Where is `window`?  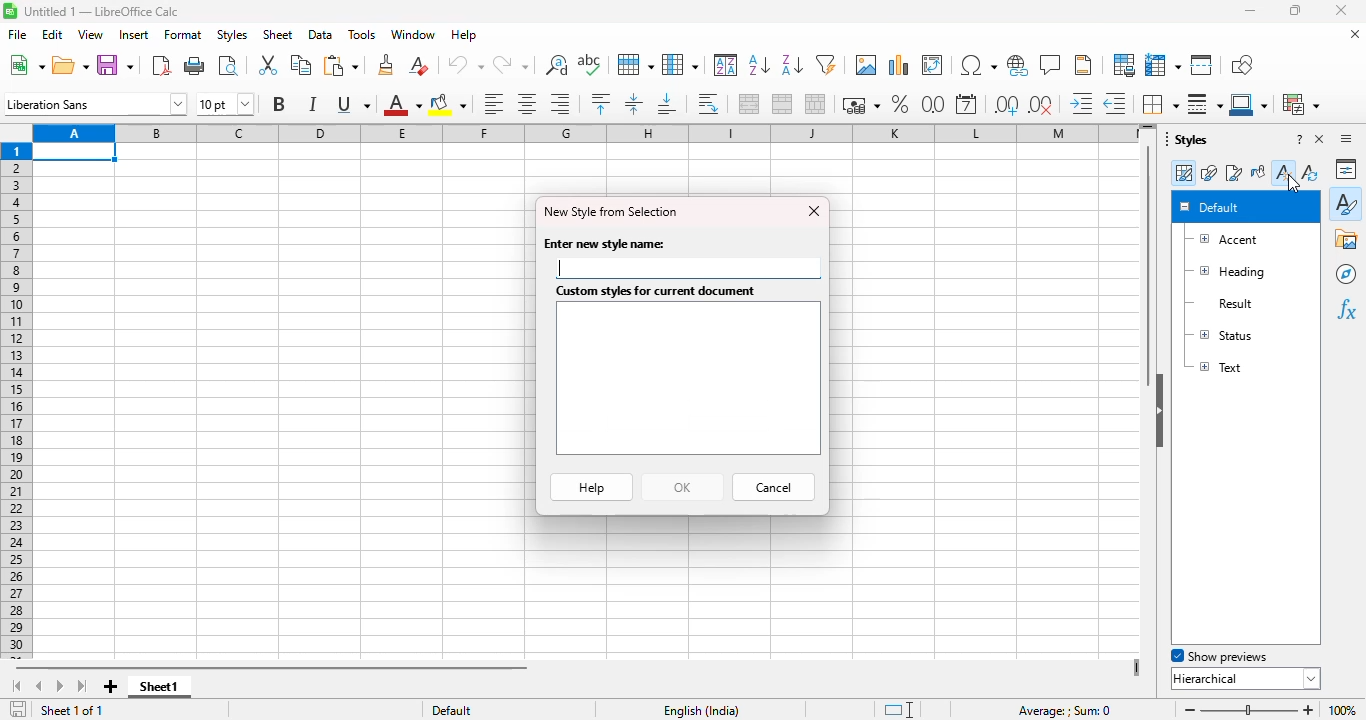
window is located at coordinates (413, 34).